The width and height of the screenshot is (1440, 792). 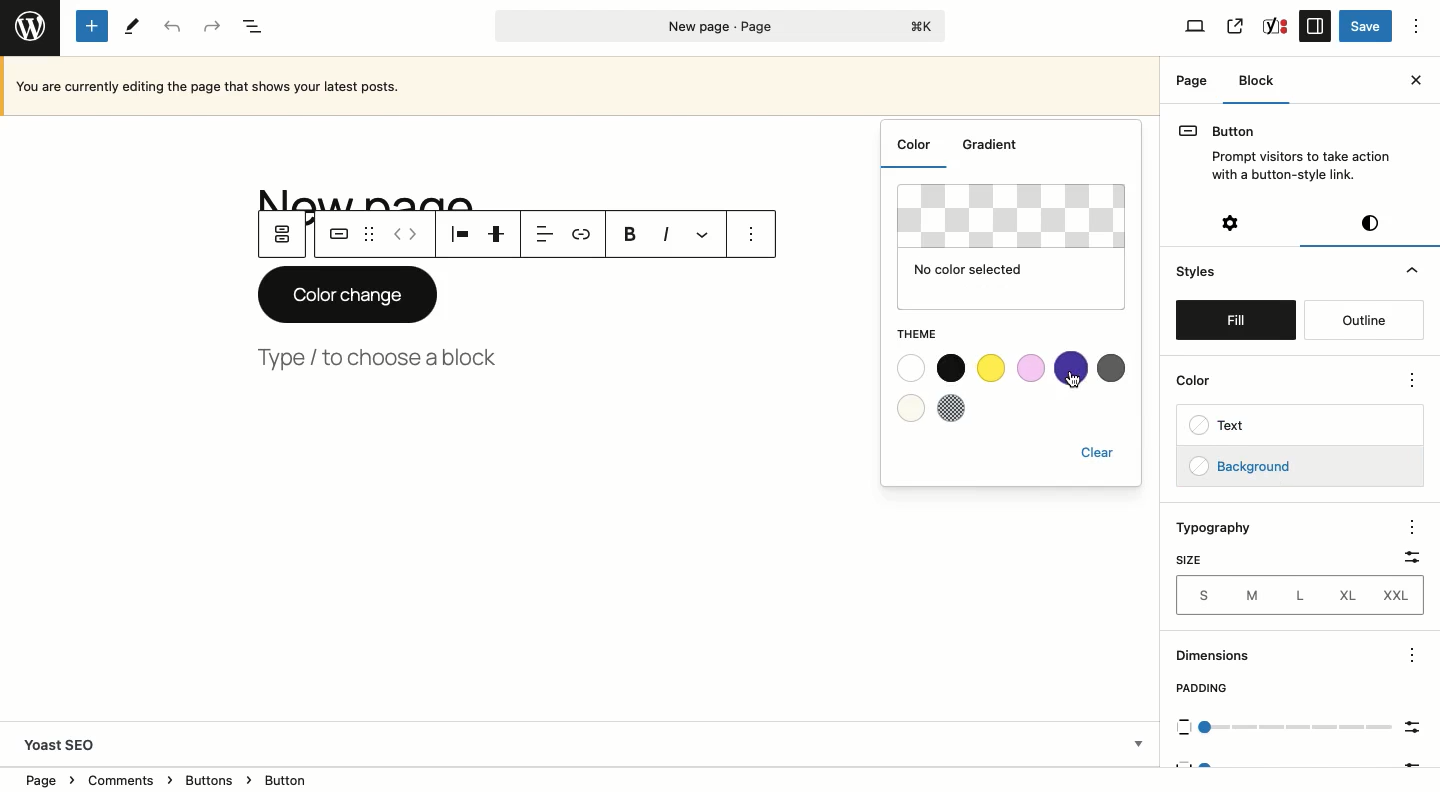 What do you see at coordinates (1012, 216) in the screenshot?
I see `Clear background` at bounding box center [1012, 216].